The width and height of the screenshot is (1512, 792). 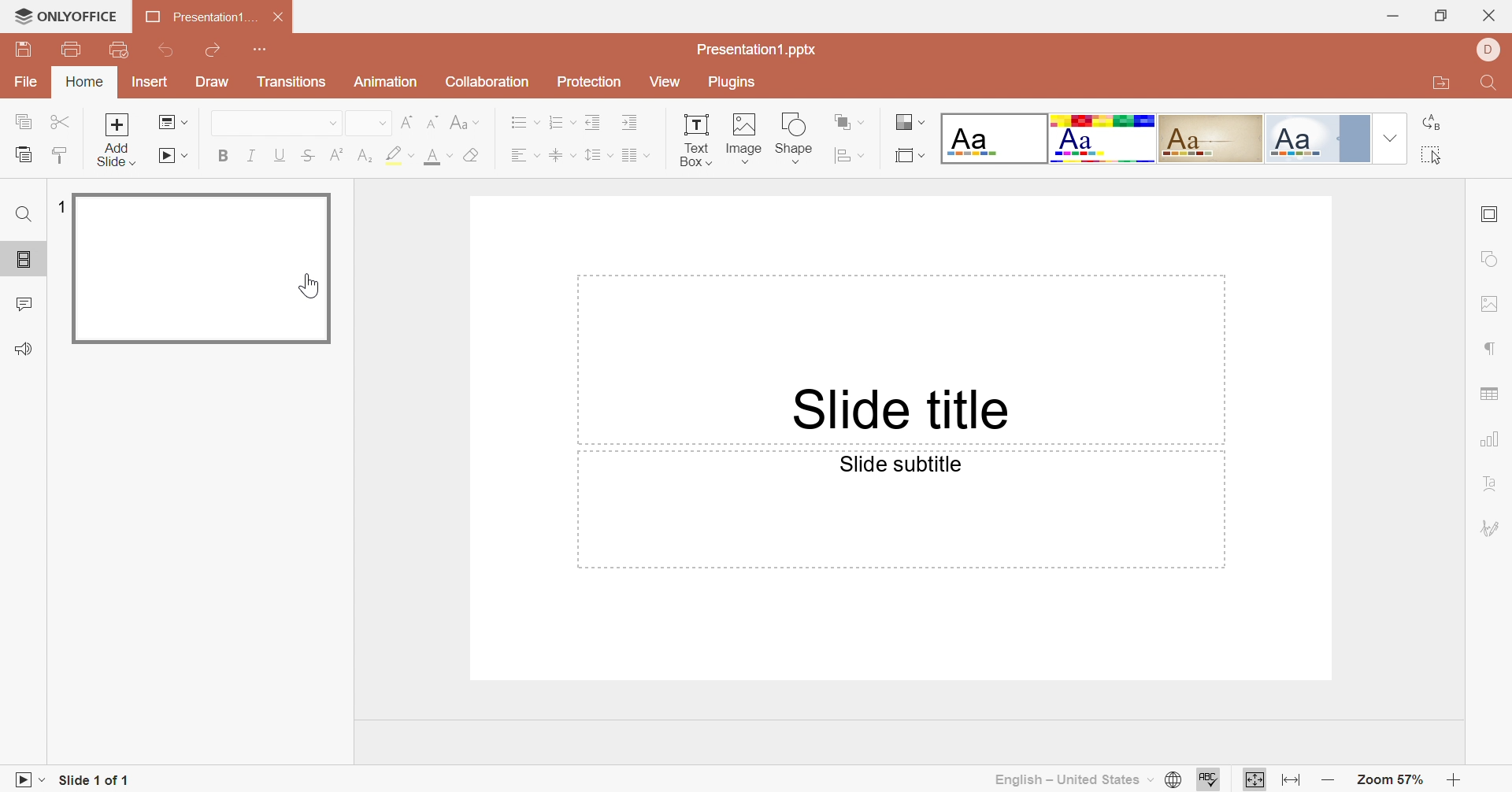 I want to click on 1, so click(x=62, y=206).